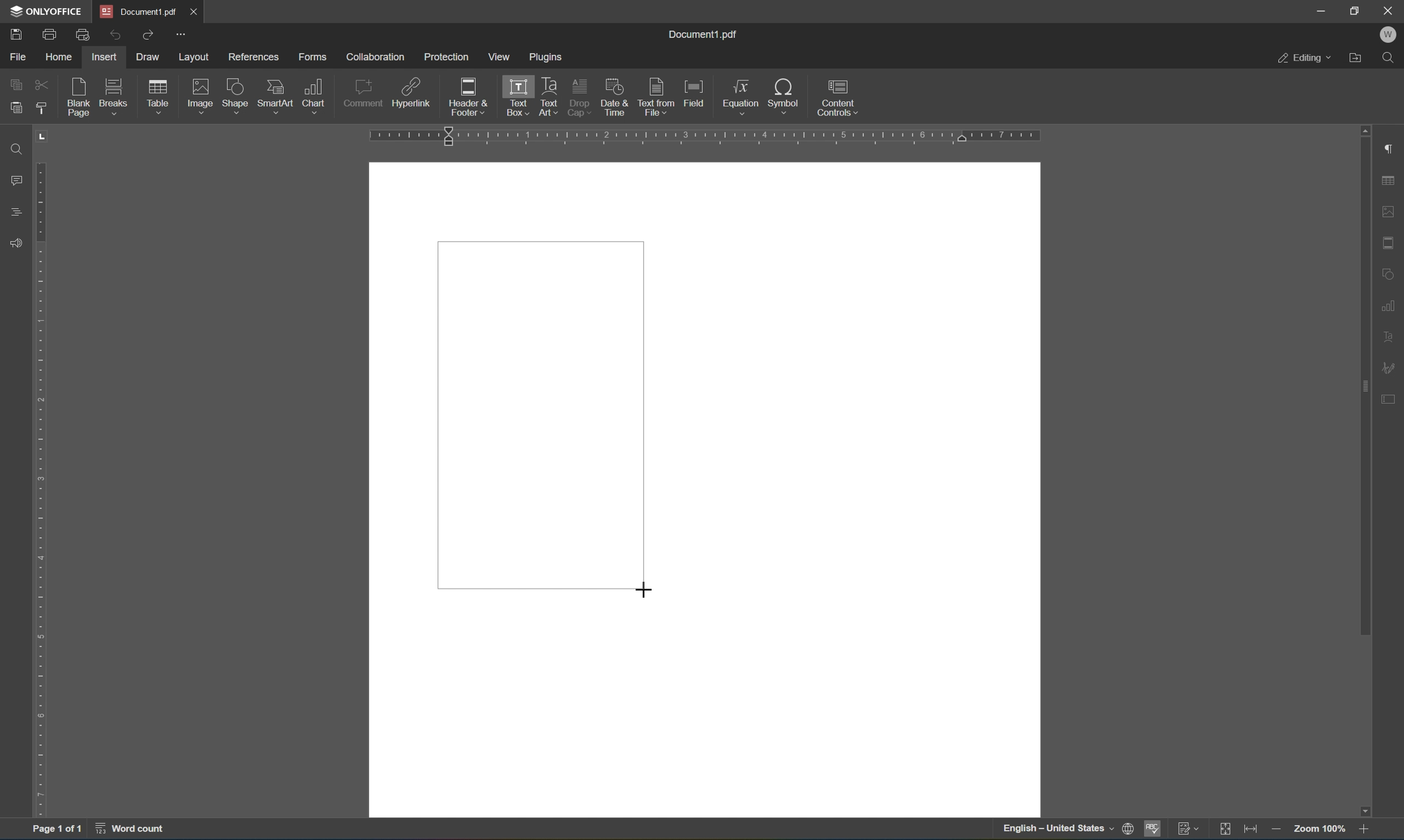 The image size is (1404, 840). I want to click on english - united states, so click(1059, 830).